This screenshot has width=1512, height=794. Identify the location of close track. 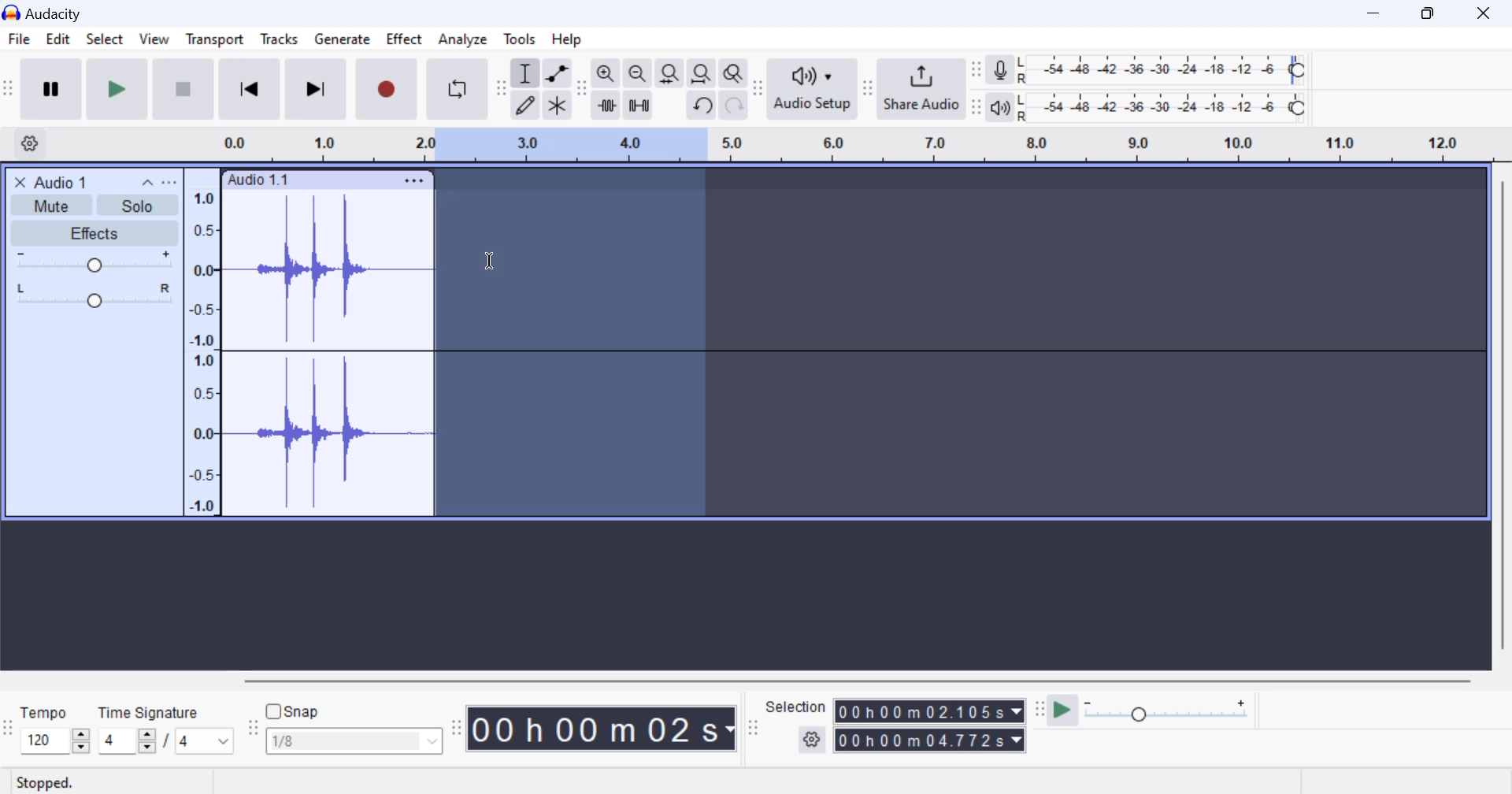
(20, 181).